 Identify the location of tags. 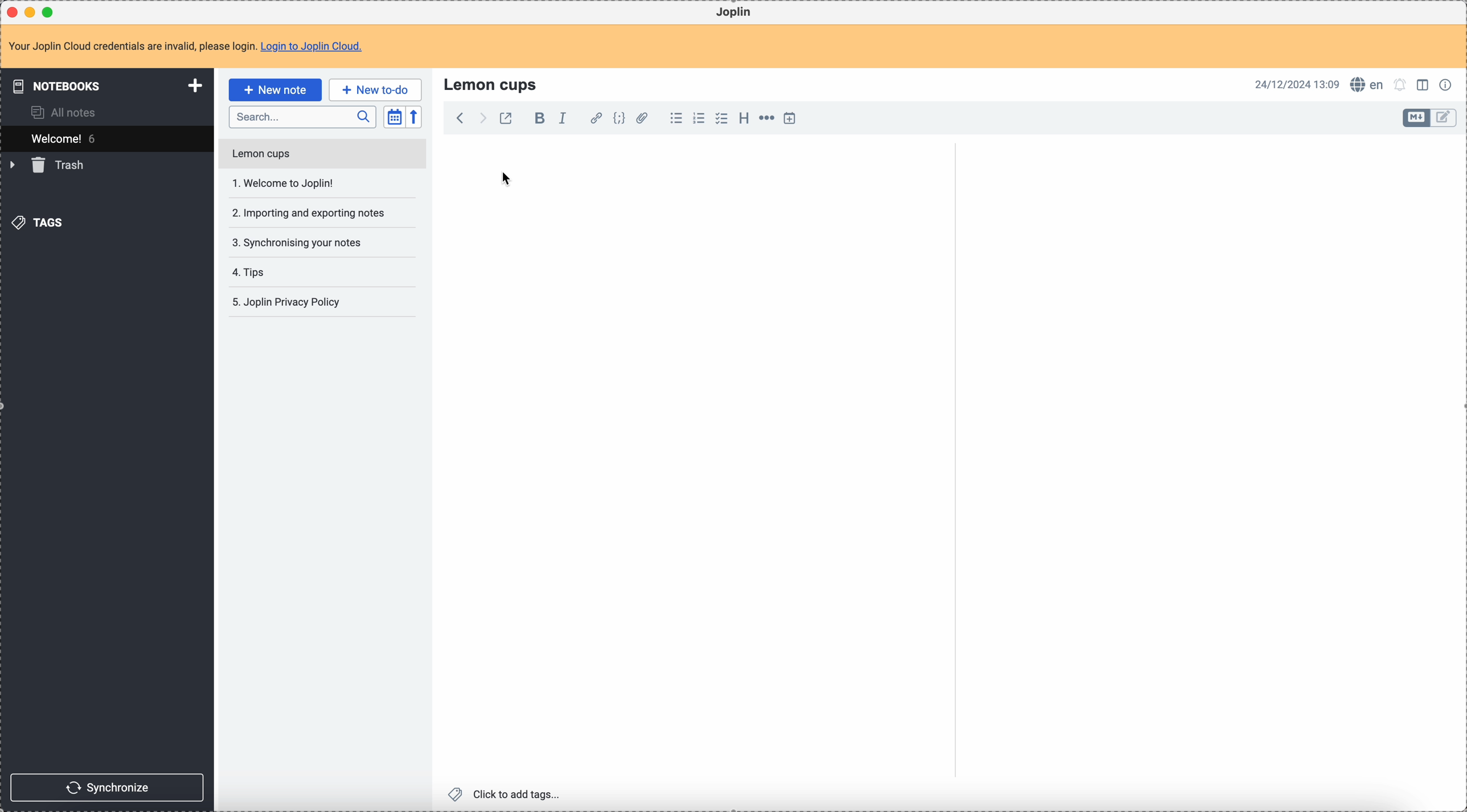
(40, 222).